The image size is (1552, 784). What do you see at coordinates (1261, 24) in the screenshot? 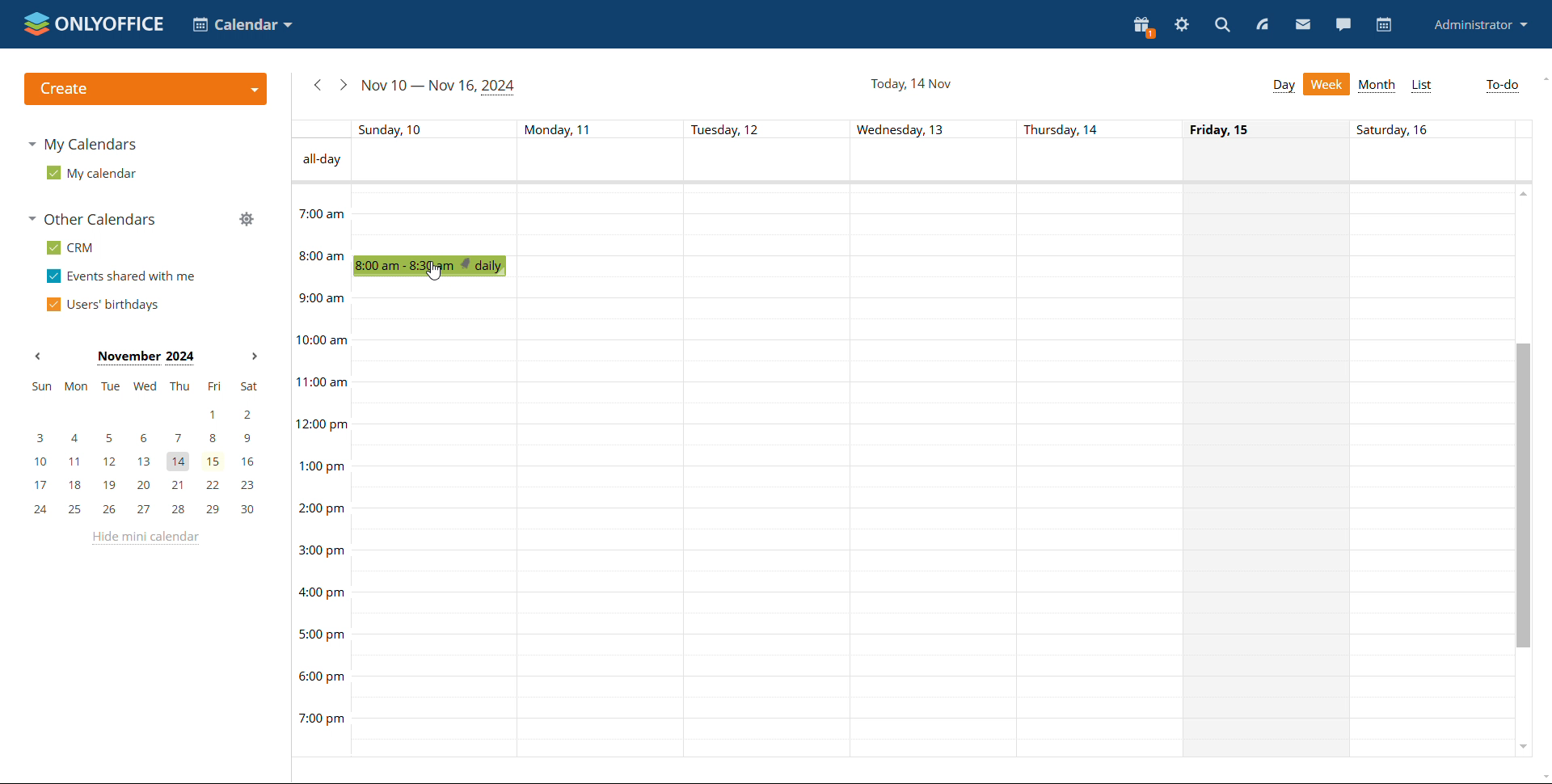
I see `feed` at bounding box center [1261, 24].